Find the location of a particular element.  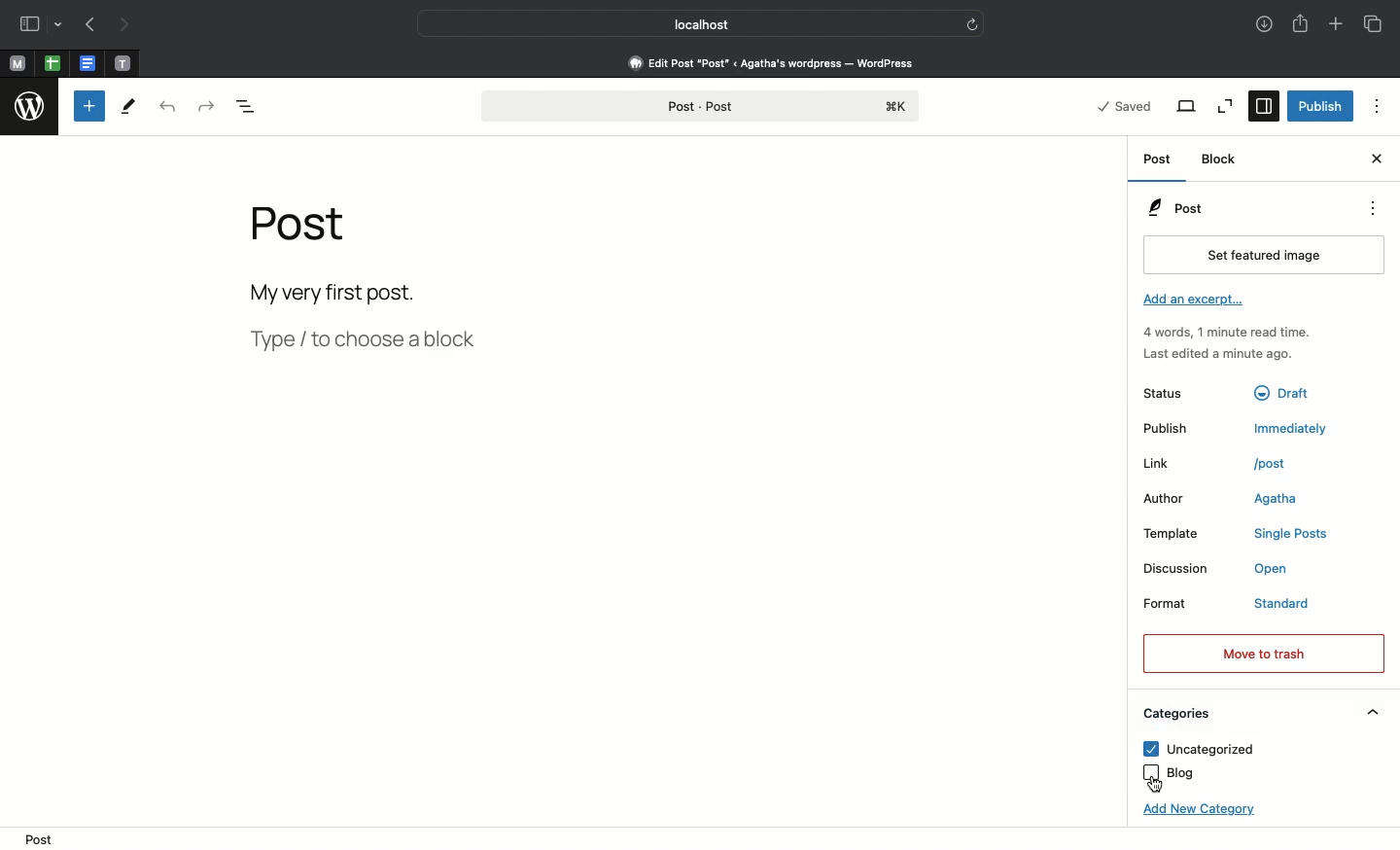

Tabs is located at coordinates (1376, 24).